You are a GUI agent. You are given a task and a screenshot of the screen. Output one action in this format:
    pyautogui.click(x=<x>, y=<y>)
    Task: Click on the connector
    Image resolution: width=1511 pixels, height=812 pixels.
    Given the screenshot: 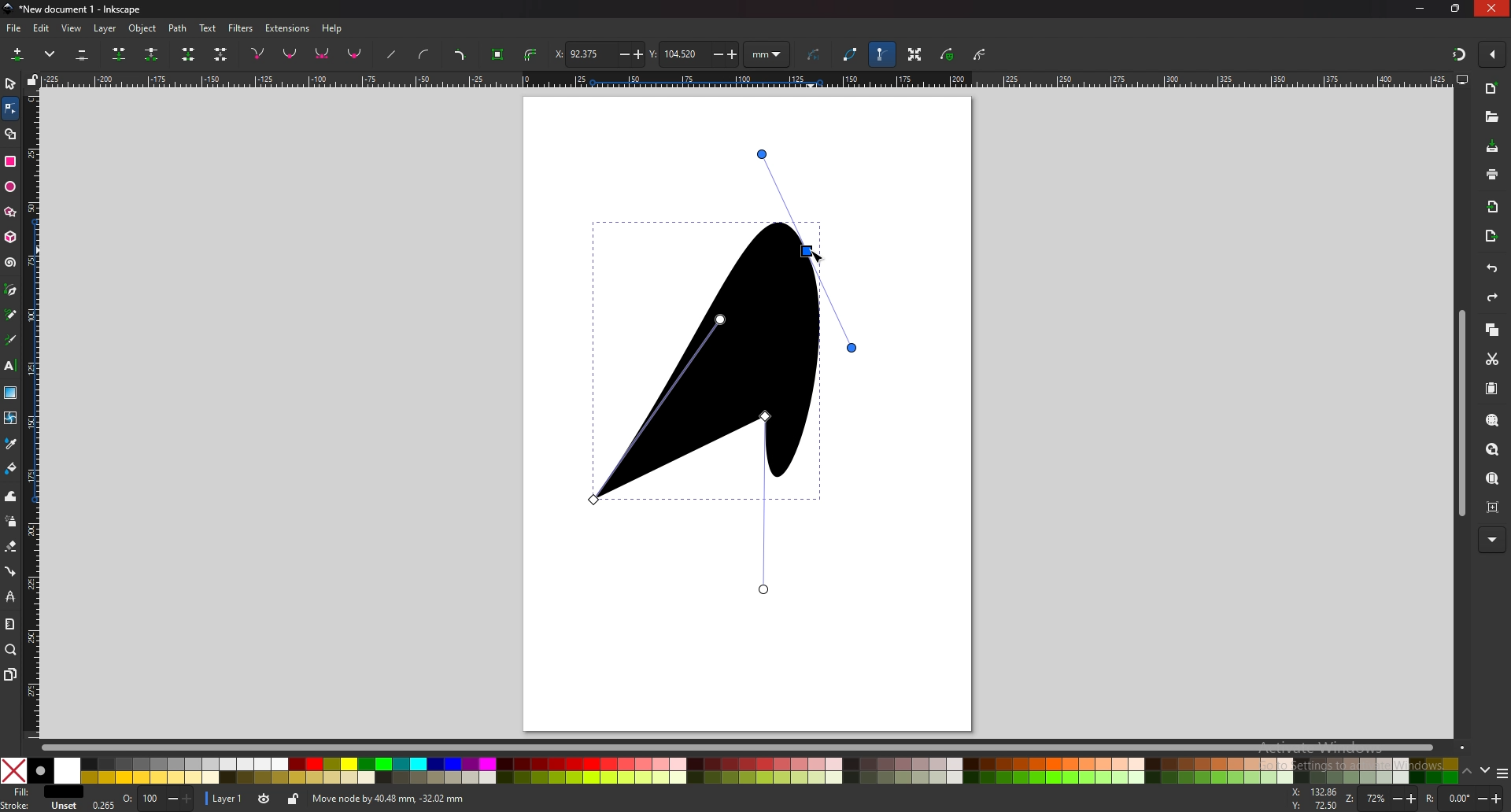 What is the action you would take?
    pyautogui.click(x=10, y=570)
    